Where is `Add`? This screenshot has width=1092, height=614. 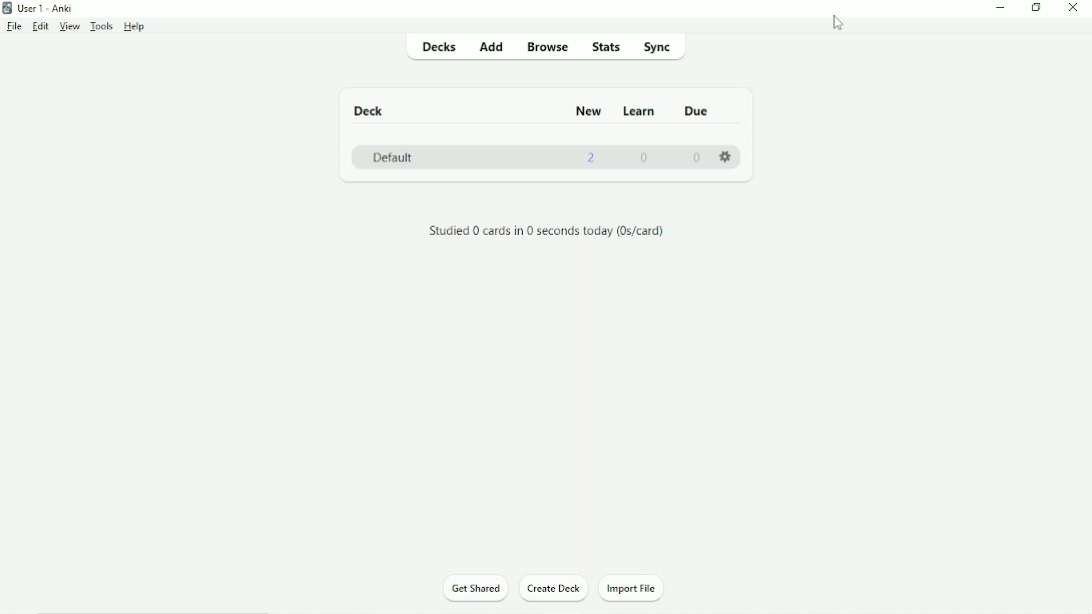
Add is located at coordinates (493, 48).